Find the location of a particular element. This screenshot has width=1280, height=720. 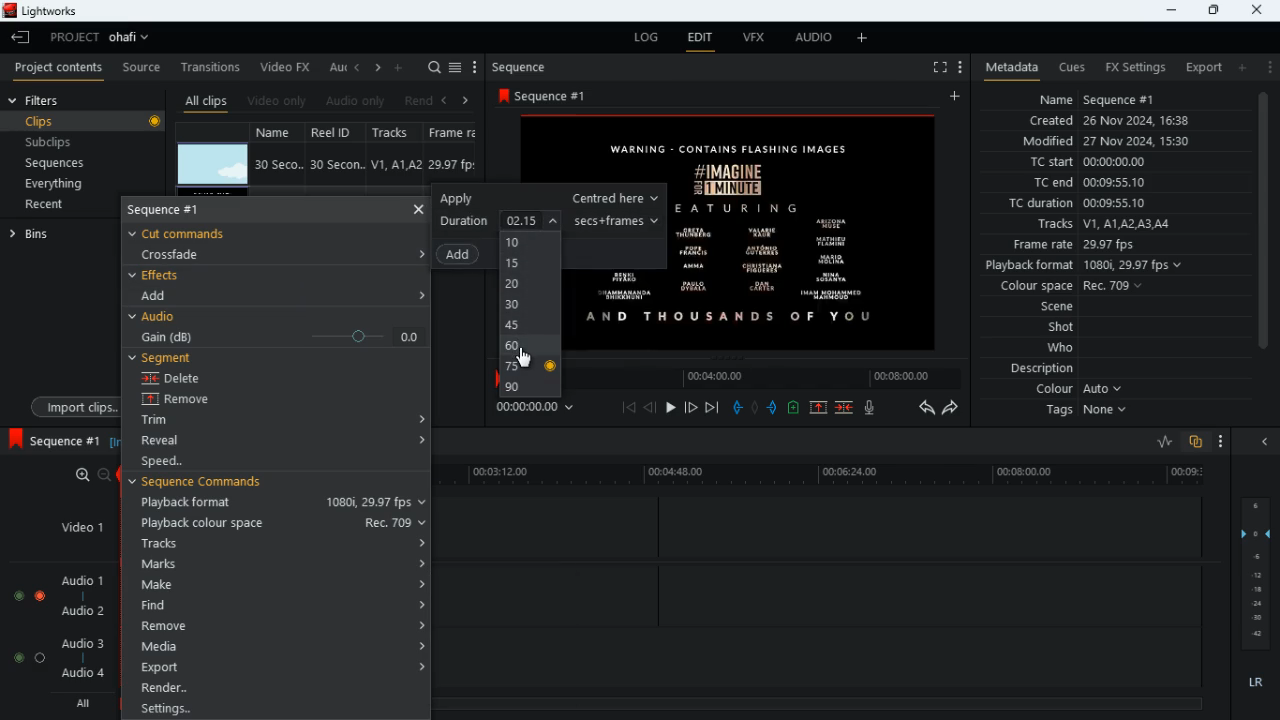

more is located at coordinates (1222, 443).